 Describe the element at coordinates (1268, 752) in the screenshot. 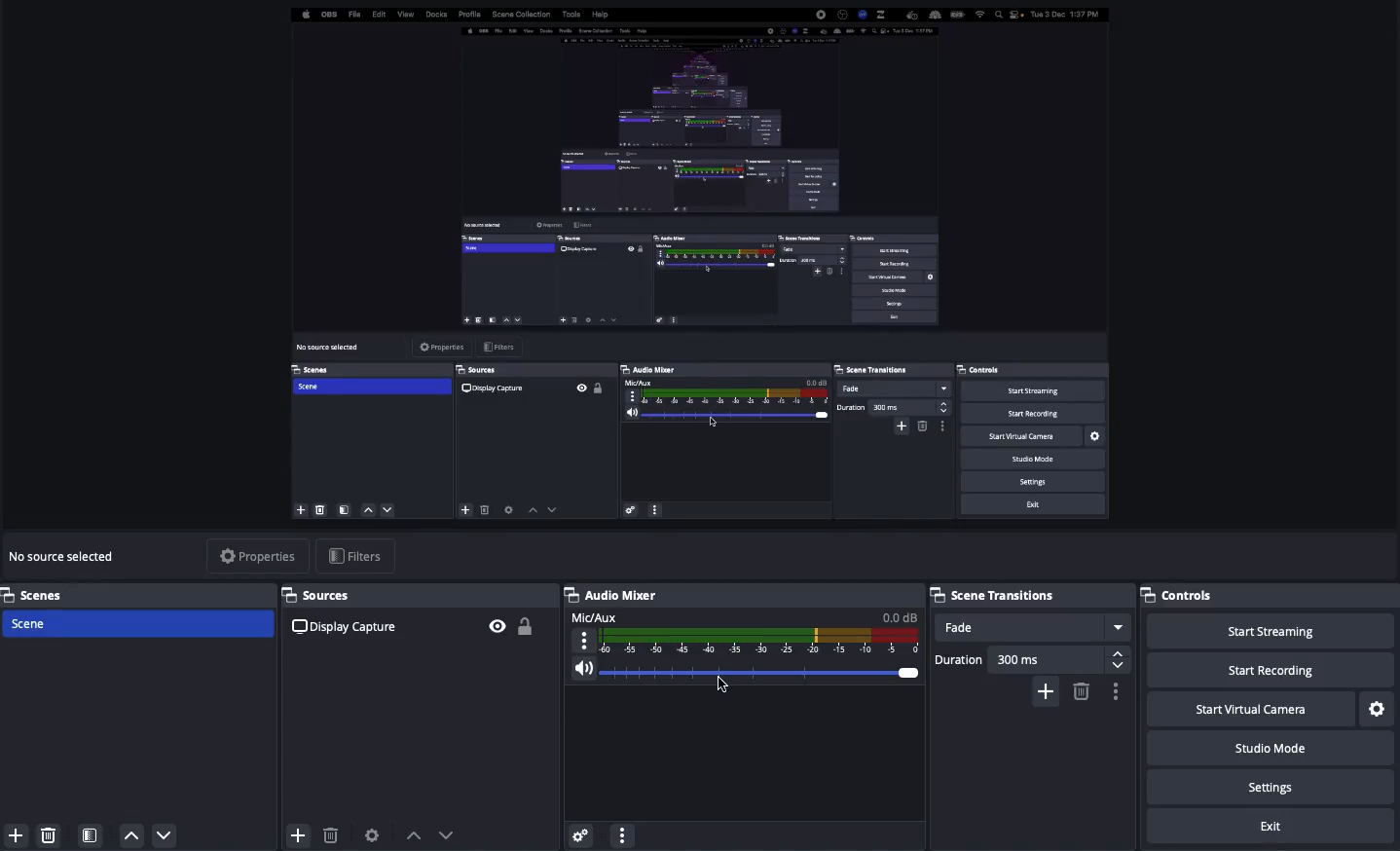

I see `Studio mode` at that location.